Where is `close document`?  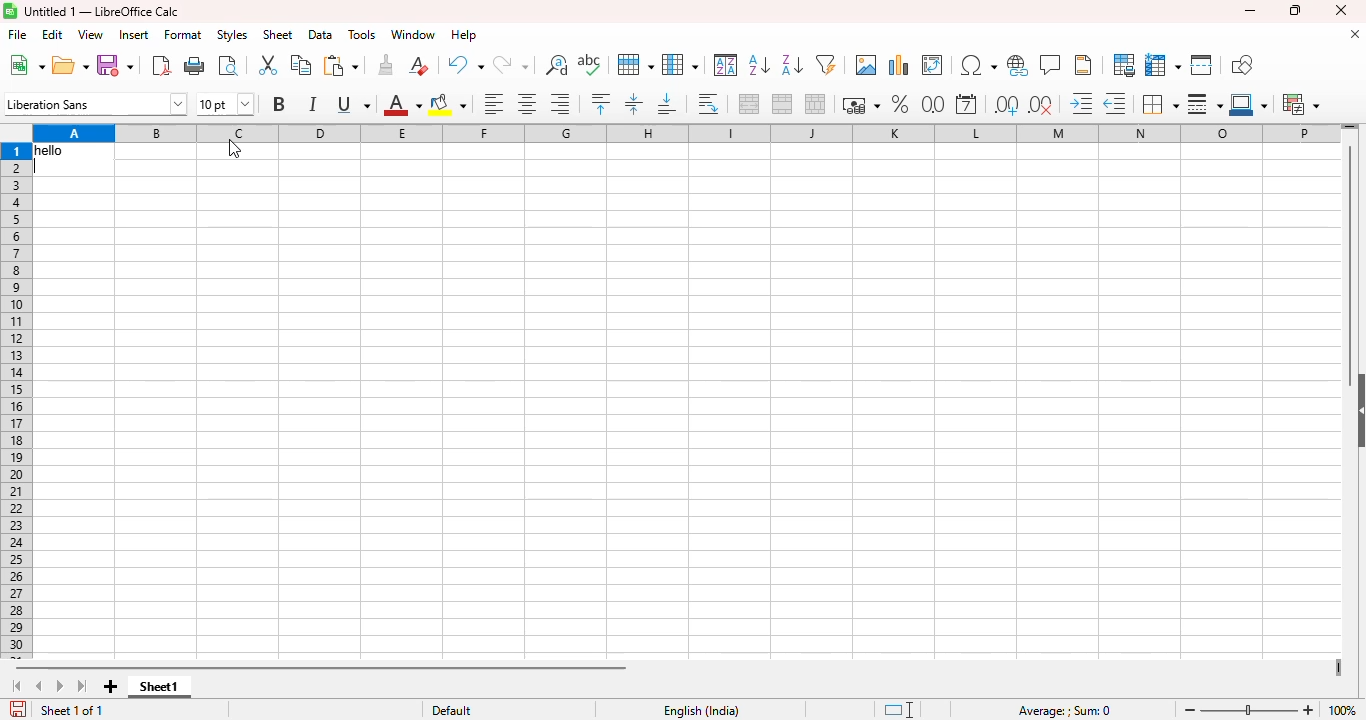
close document is located at coordinates (1355, 34).